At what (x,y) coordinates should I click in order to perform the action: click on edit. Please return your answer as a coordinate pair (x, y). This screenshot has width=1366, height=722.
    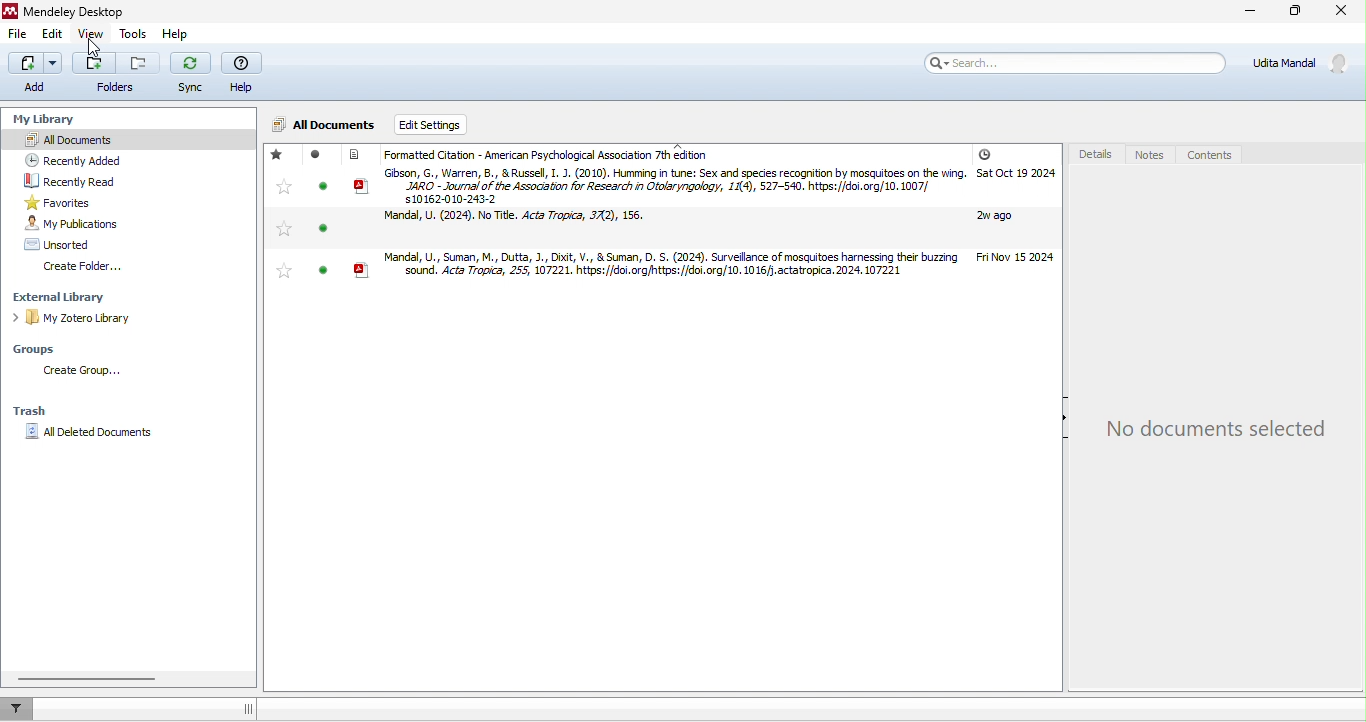
    Looking at the image, I should click on (53, 34).